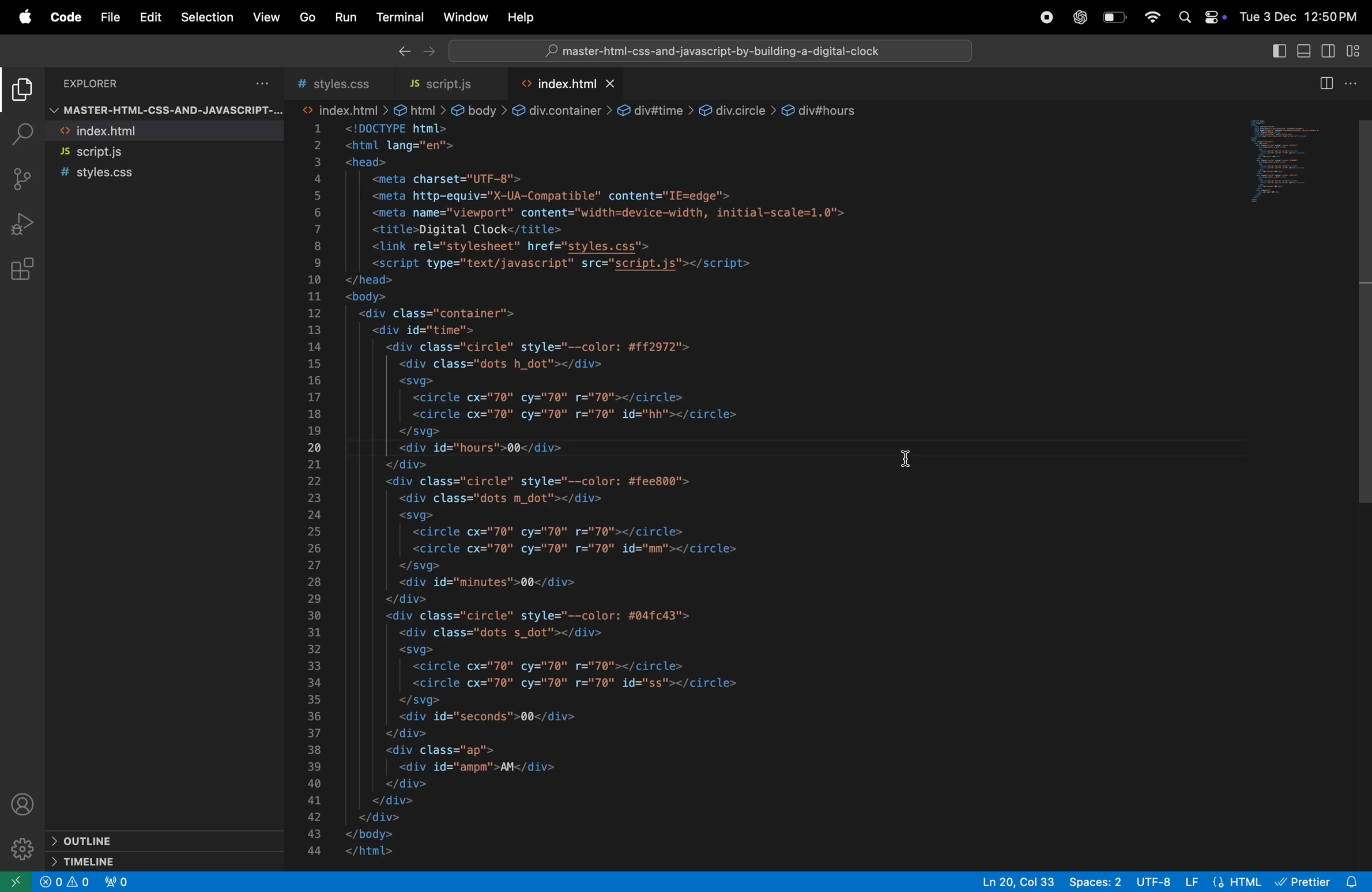 The image size is (1372, 892). I want to click on date and time, so click(1301, 19).